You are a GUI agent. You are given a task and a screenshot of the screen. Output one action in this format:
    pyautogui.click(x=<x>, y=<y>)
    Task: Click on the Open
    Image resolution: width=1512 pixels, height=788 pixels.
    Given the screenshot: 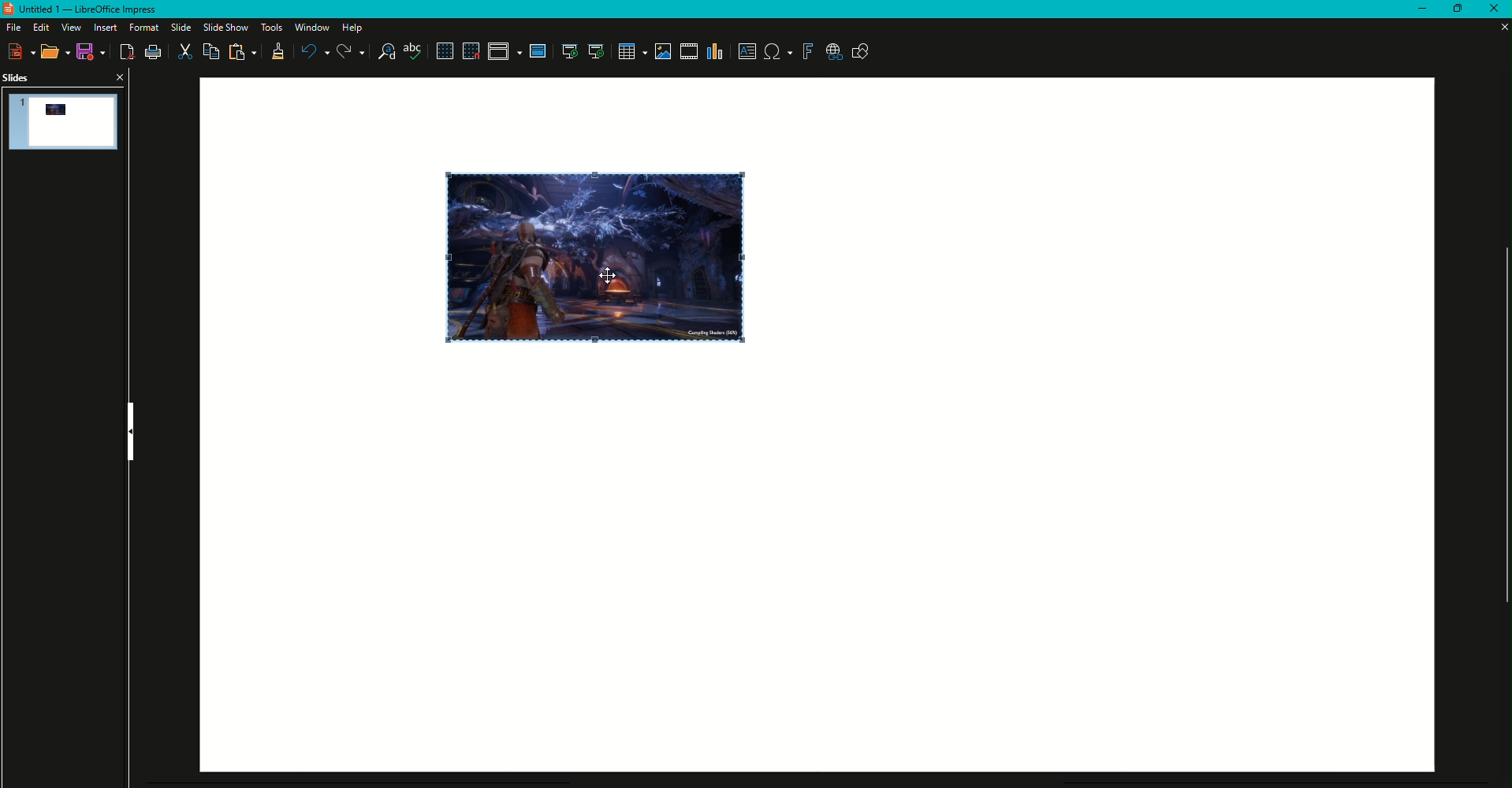 What is the action you would take?
    pyautogui.click(x=56, y=53)
    